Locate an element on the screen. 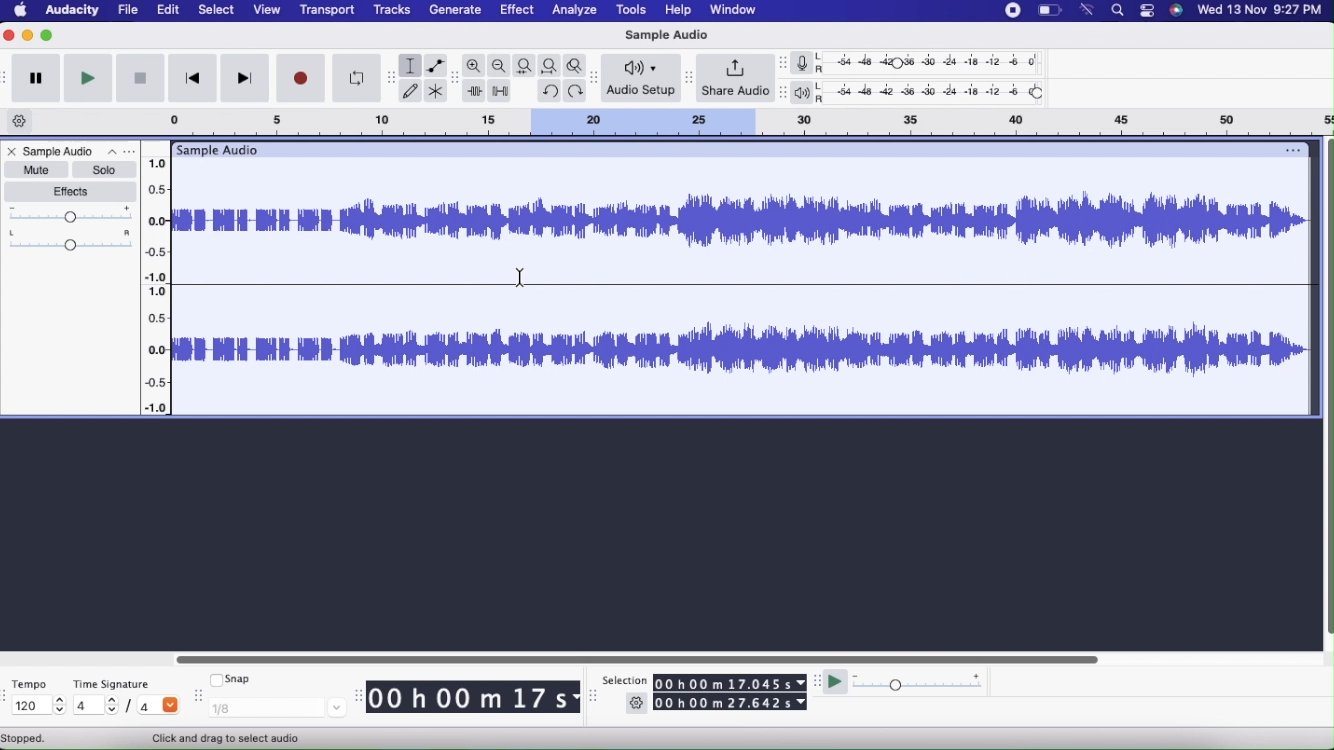 The height and width of the screenshot is (750, 1334). Skip to End is located at coordinates (246, 79).